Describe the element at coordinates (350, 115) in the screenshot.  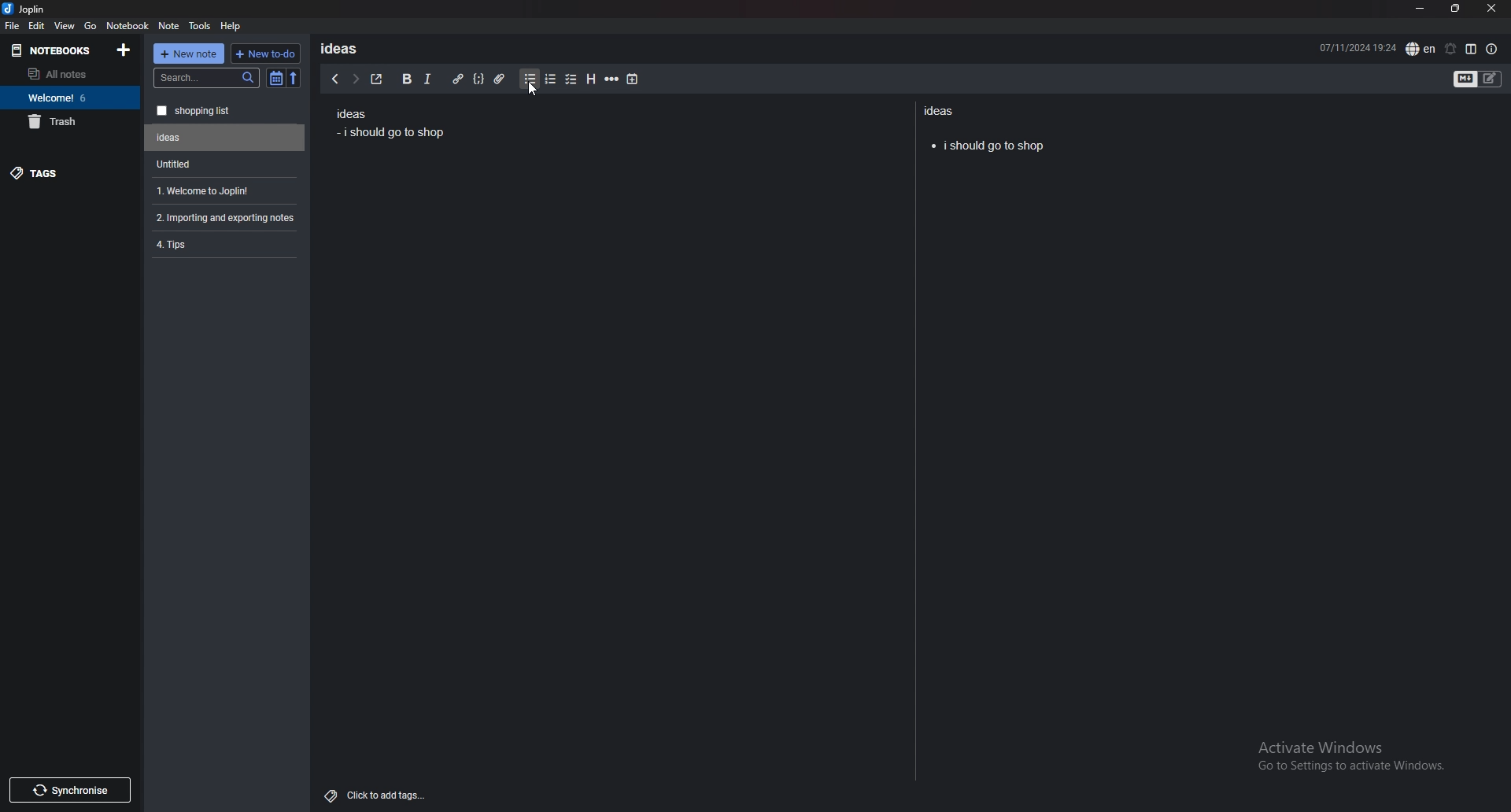
I see `ideas` at that location.